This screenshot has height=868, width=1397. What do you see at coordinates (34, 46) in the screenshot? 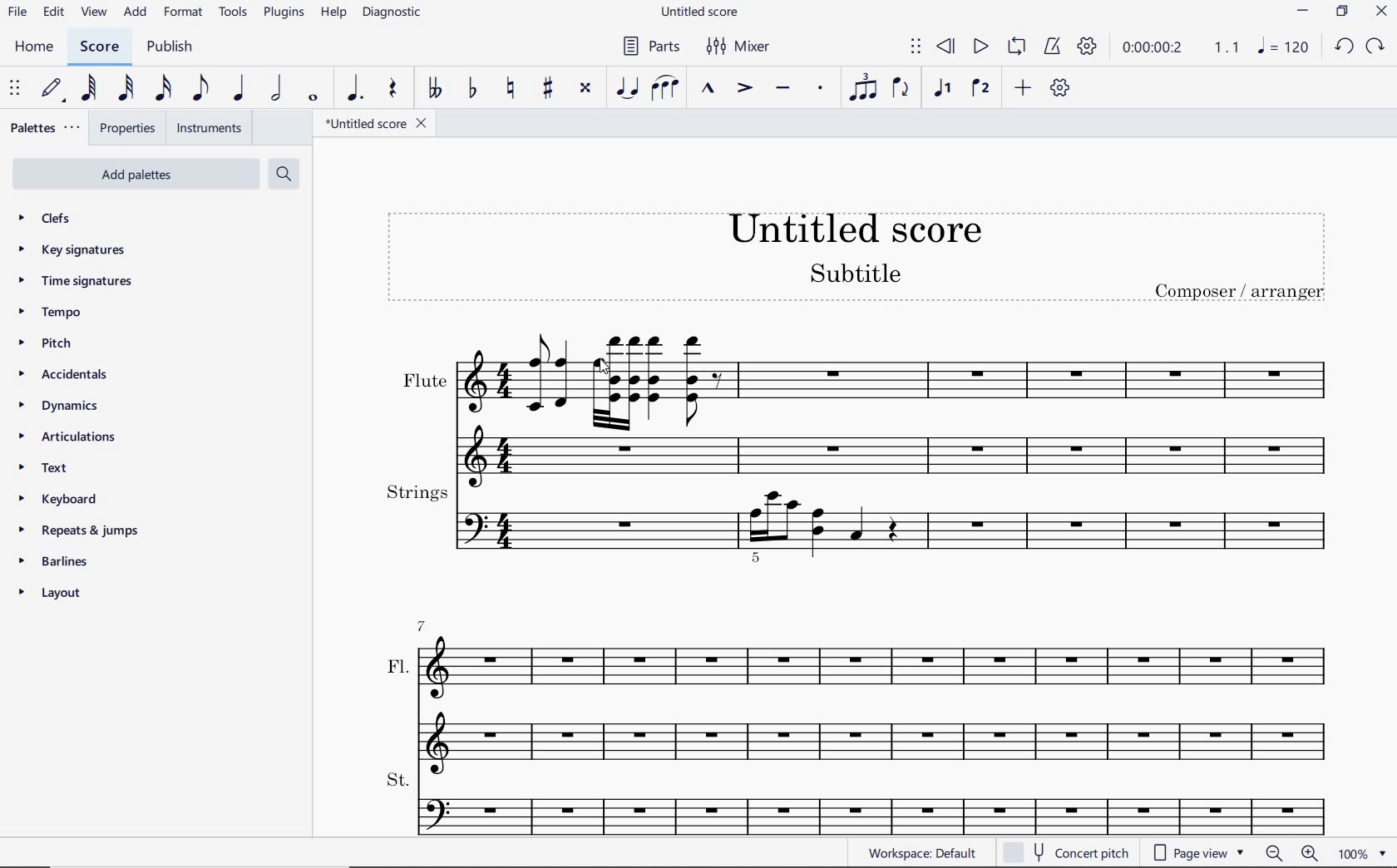
I see `home` at bounding box center [34, 46].